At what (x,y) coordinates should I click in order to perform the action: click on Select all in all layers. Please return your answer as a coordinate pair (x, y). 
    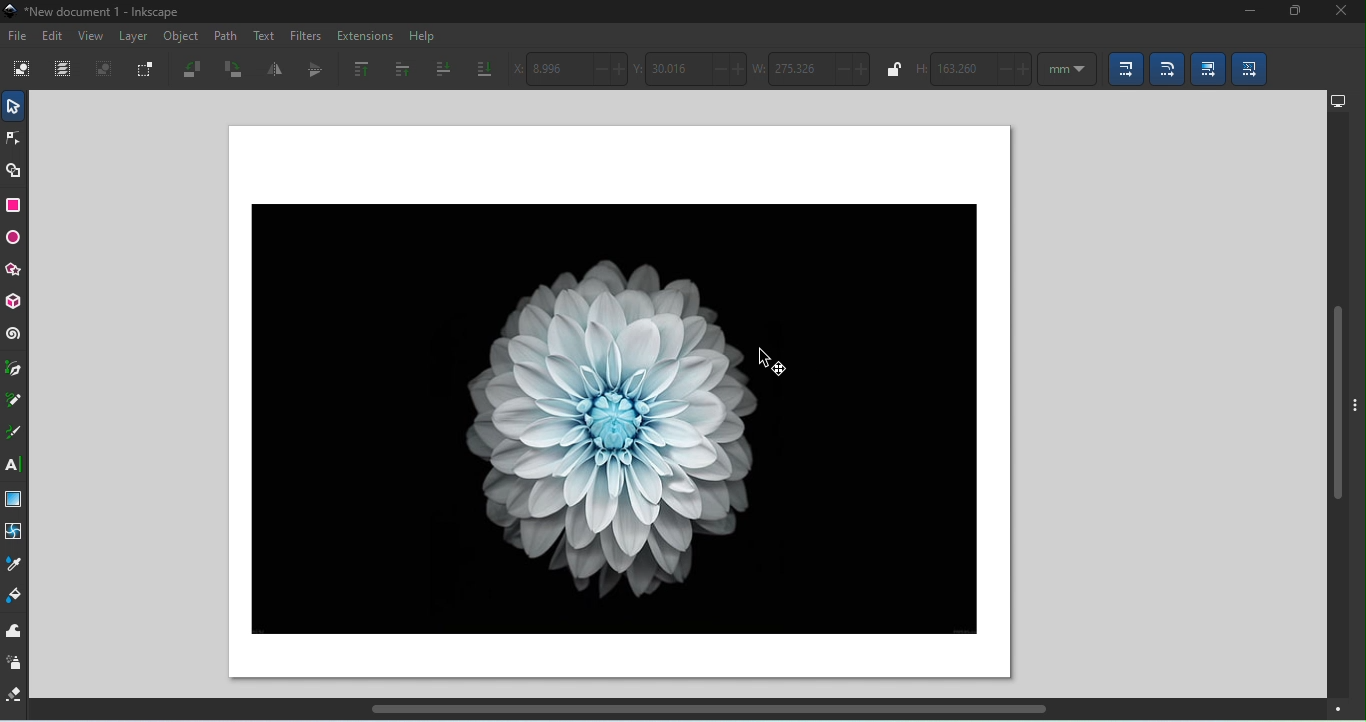
    Looking at the image, I should click on (65, 69).